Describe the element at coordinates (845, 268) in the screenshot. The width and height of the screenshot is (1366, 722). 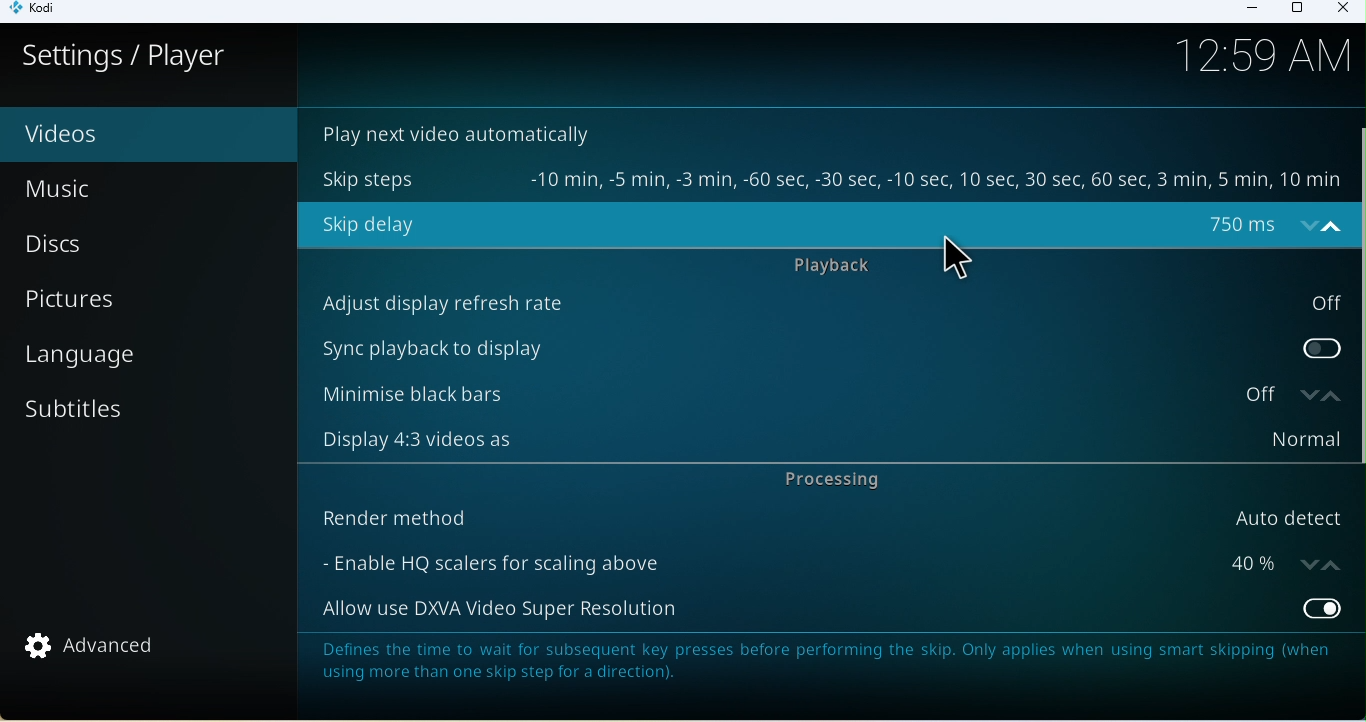
I see `Playback` at that location.